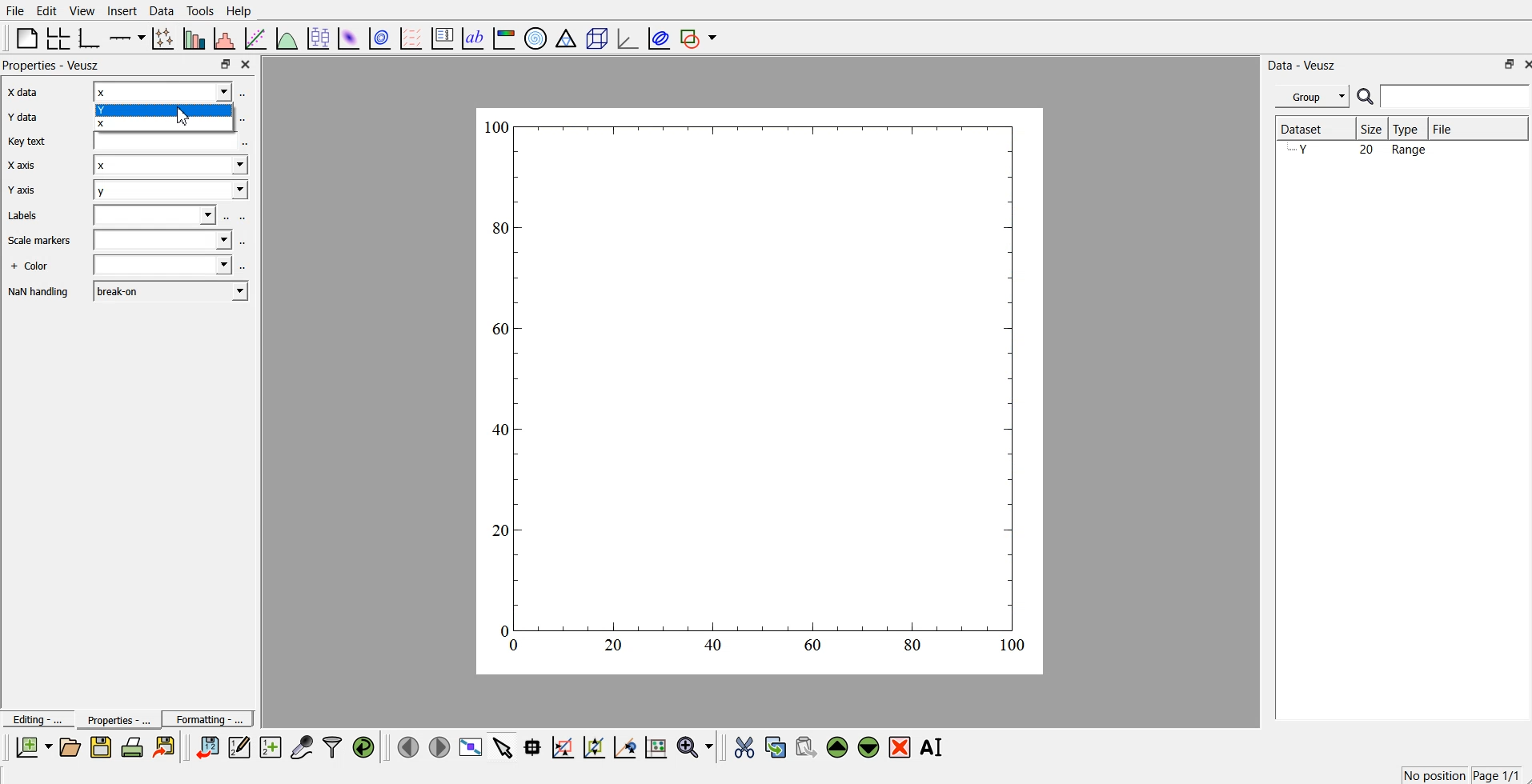  What do you see at coordinates (1478, 128) in the screenshot?
I see `File` at bounding box center [1478, 128].